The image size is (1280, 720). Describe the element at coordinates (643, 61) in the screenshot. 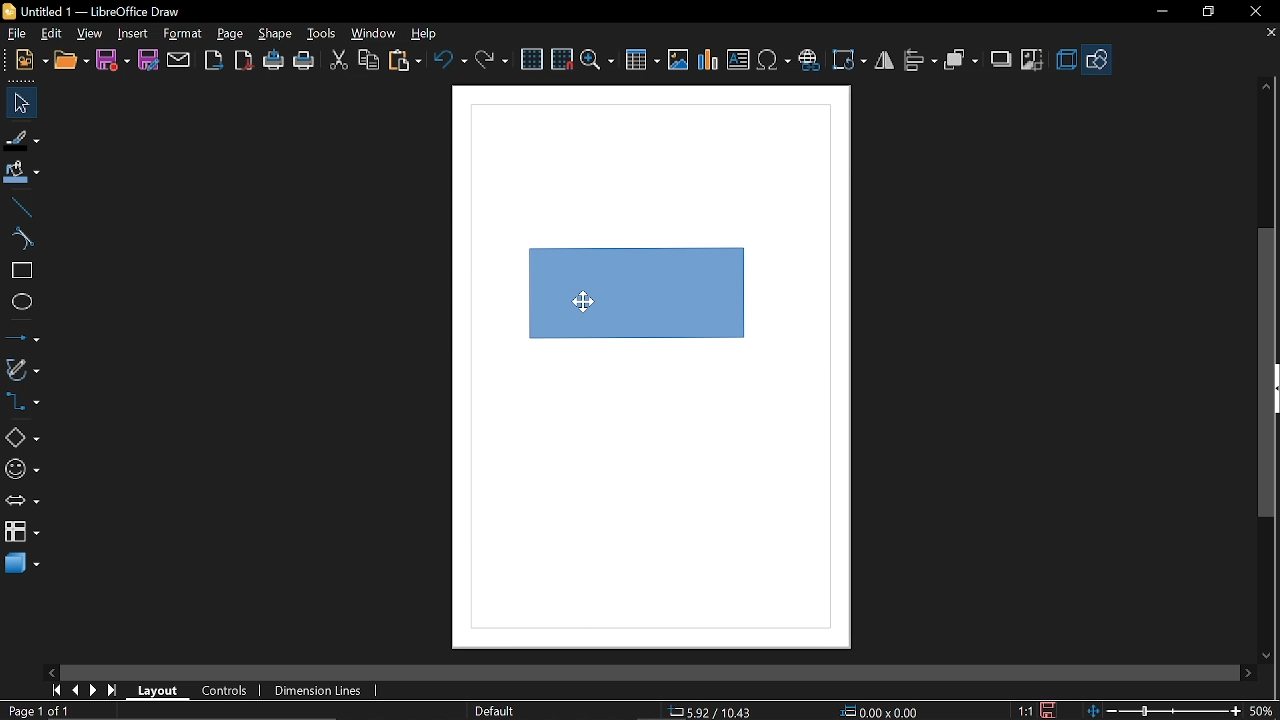

I see `Insert table` at that location.